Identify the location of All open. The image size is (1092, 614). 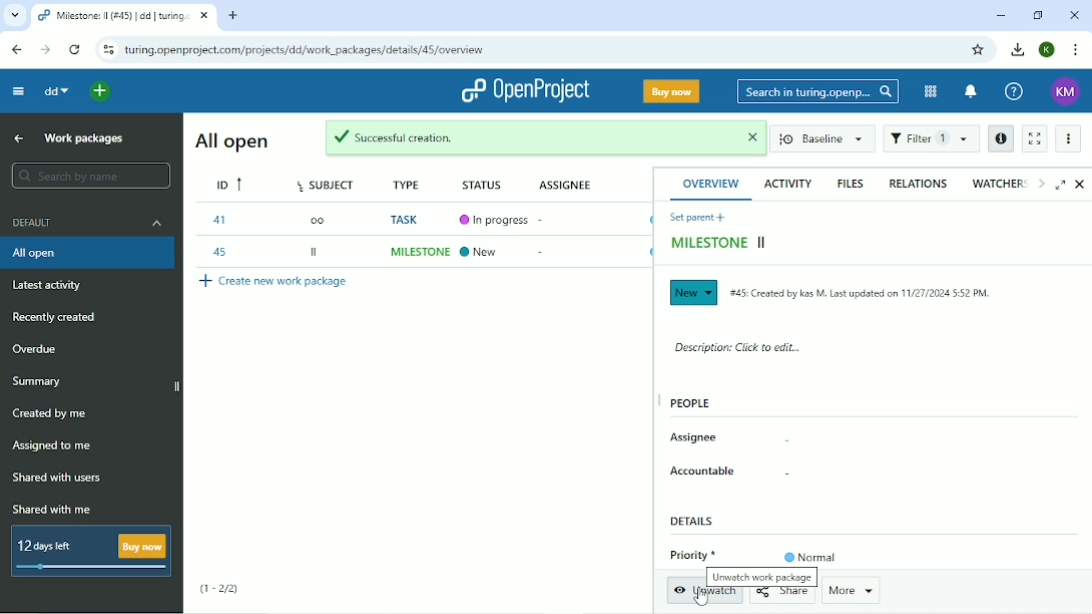
(230, 141).